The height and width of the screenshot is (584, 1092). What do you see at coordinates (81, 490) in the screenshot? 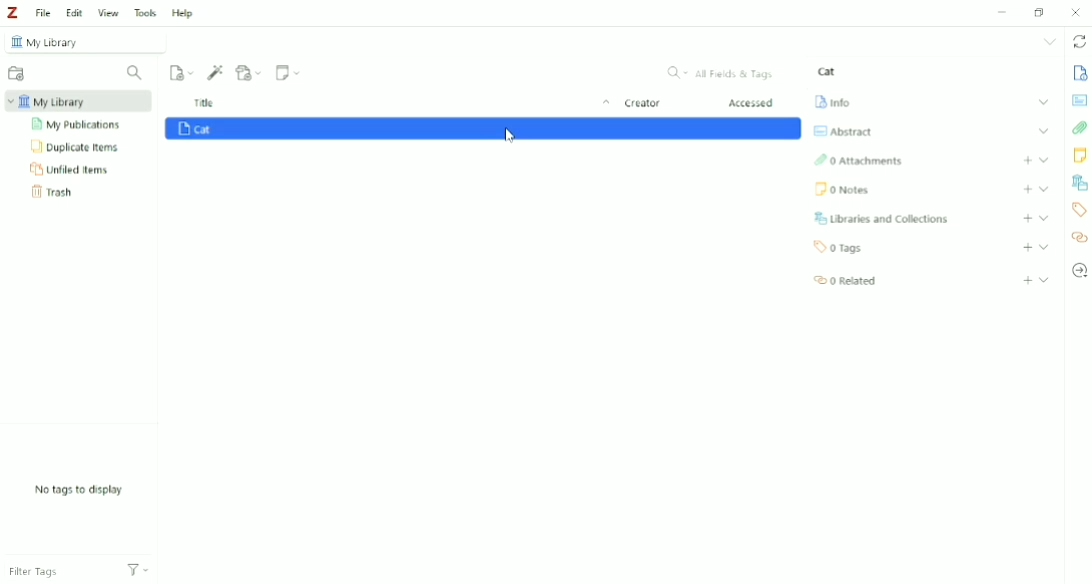
I see `No tags to display` at bounding box center [81, 490].